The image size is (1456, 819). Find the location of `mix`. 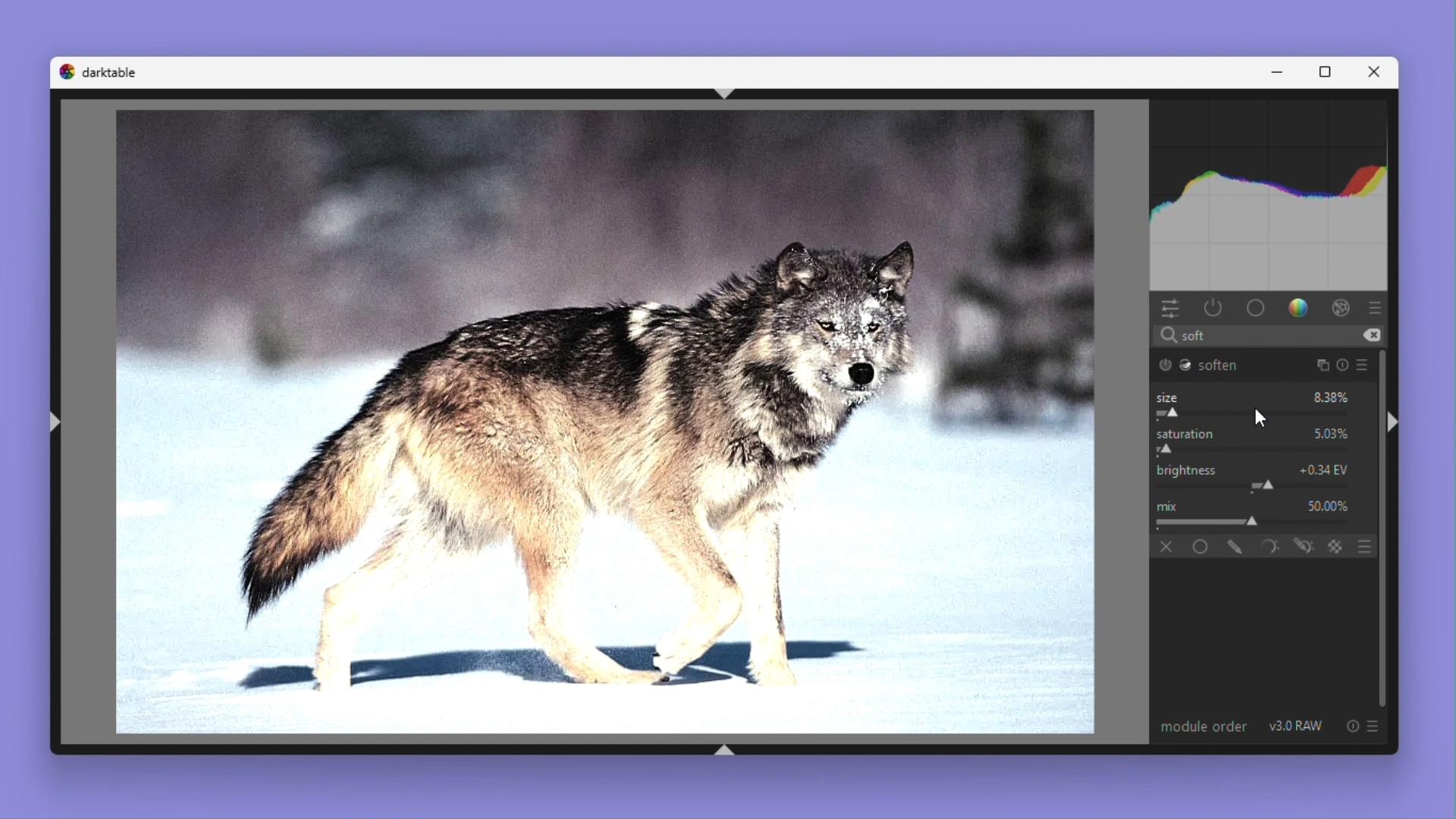

mix is located at coordinates (1169, 504).